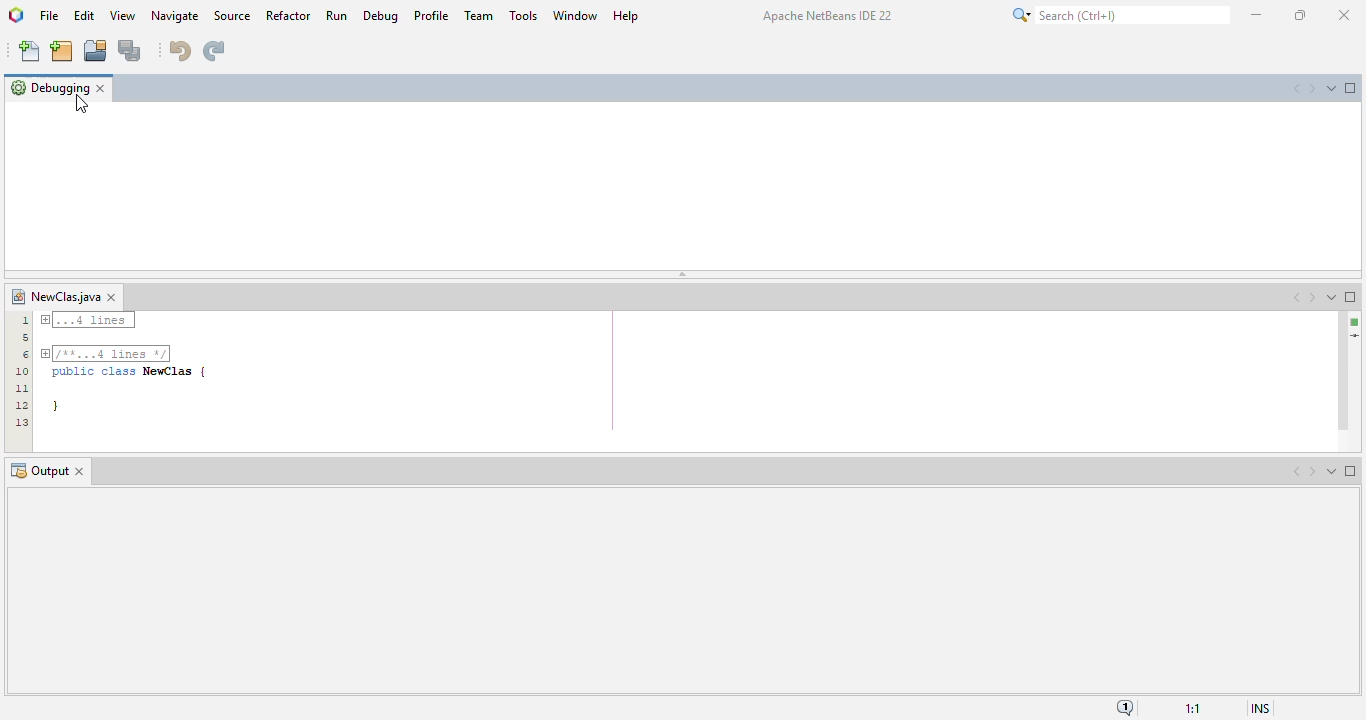 Image resolution: width=1366 pixels, height=720 pixels. Describe the element at coordinates (83, 15) in the screenshot. I see `edit` at that location.